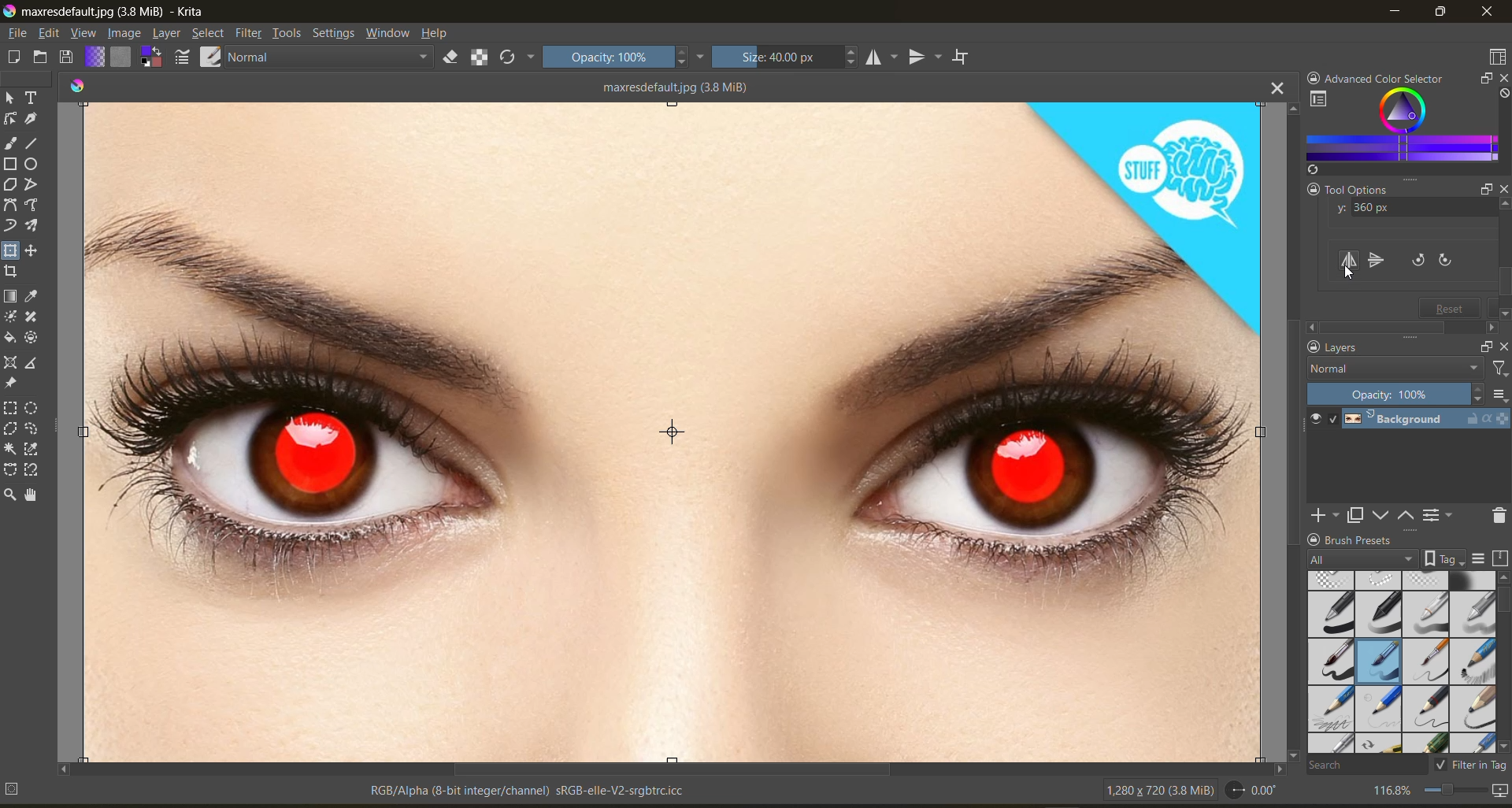 This screenshot has height=808, width=1512. I want to click on tool, so click(11, 250).